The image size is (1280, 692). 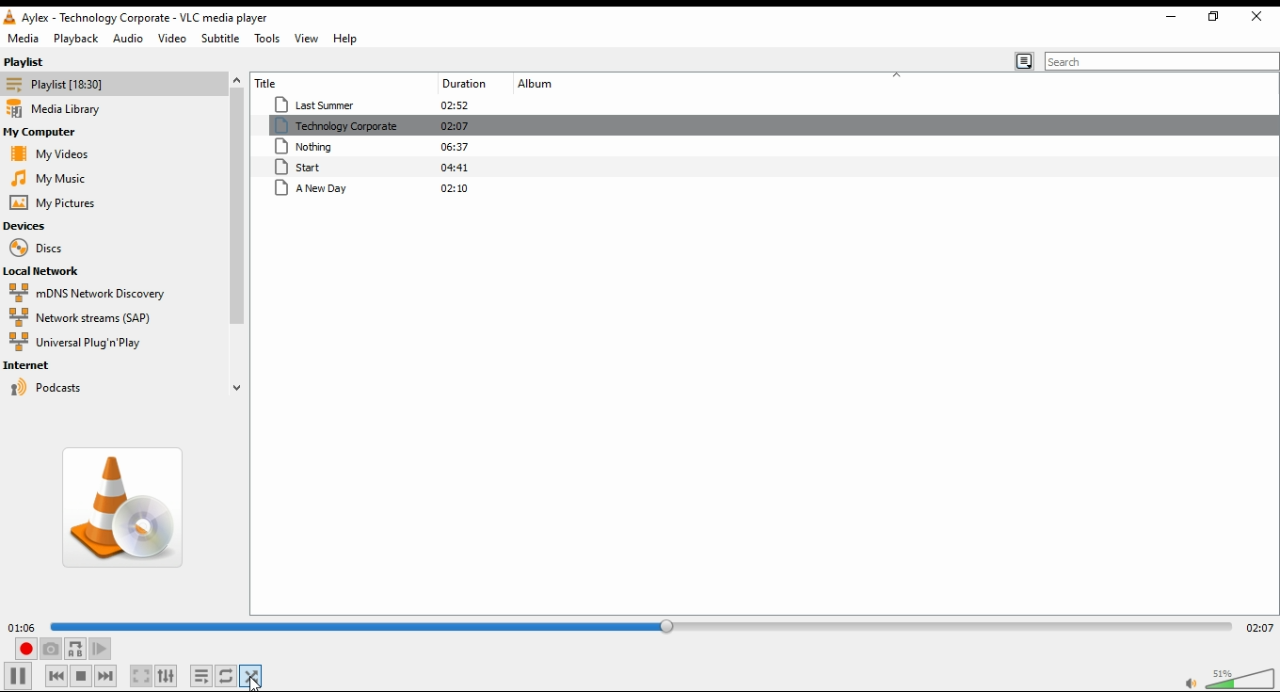 I want to click on playlist, so click(x=69, y=84).